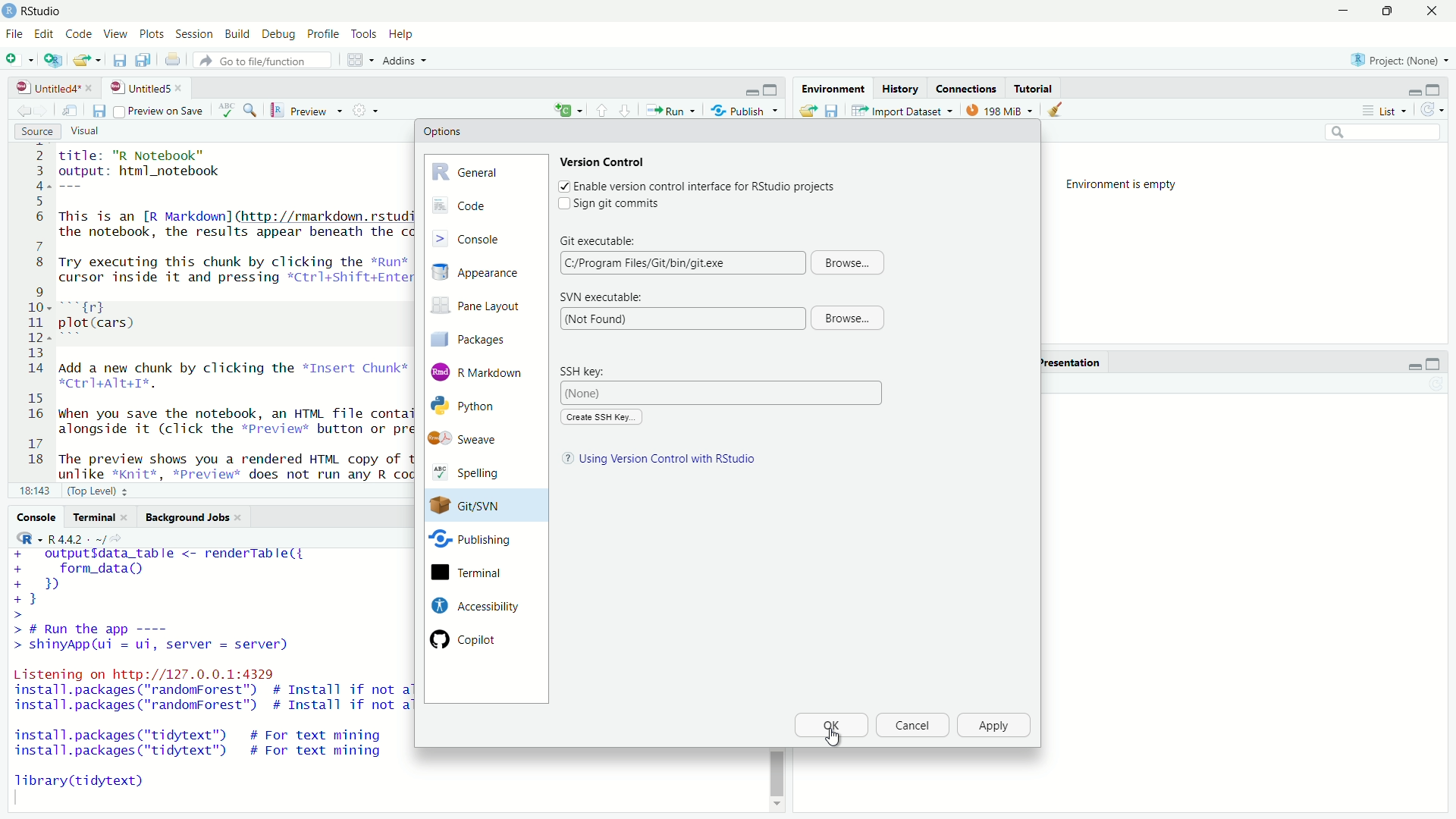 The image size is (1456, 819). I want to click on + outputfdata_table <- renderTable({+ form_data()+B+}>> # Run the app ----> shinyApp(ui = ui, server = server)Listening on http://127.0.0.1:4329install.packages ("randomForest") # Install if not already installedinstall.packages ("randomForest") # Install if not already installedinstall.packages ("tidytext") # For text mininginstall.packages ("tidytext") # For text miningTibrary(tidytext), so click(209, 676).